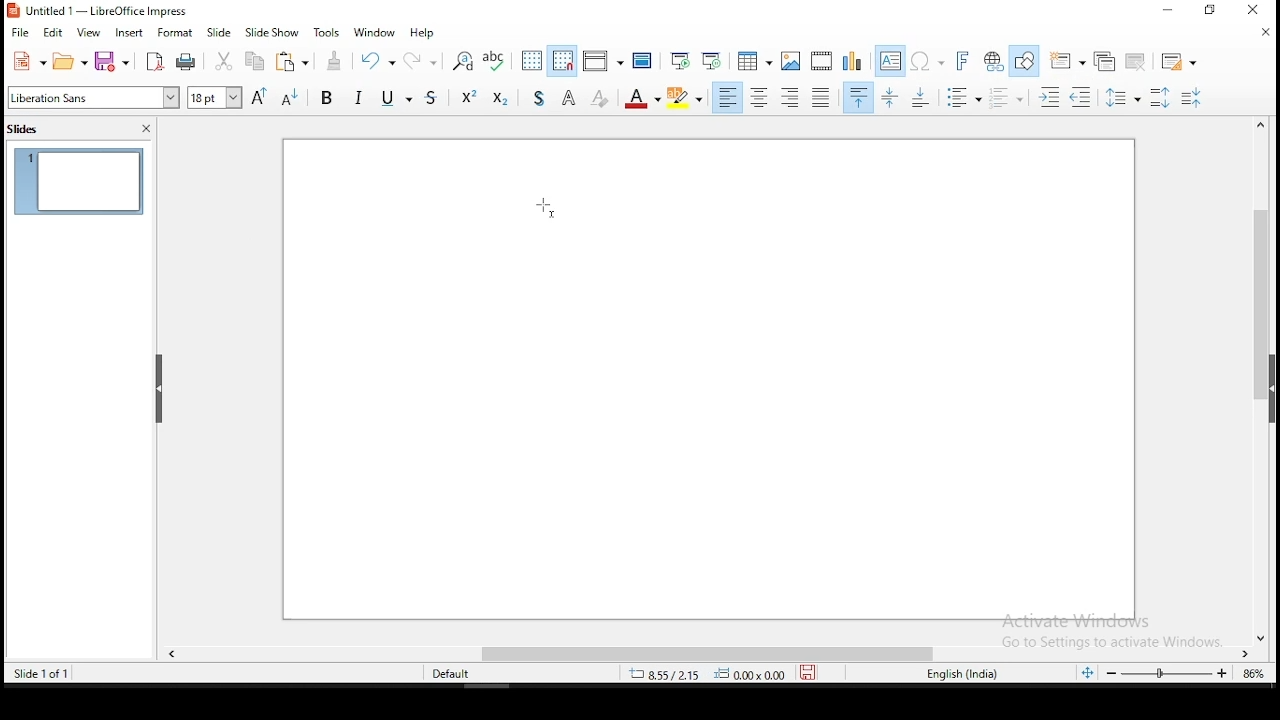  Describe the element at coordinates (1004, 98) in the screenshot. I see `toggle ordered list` at that location.